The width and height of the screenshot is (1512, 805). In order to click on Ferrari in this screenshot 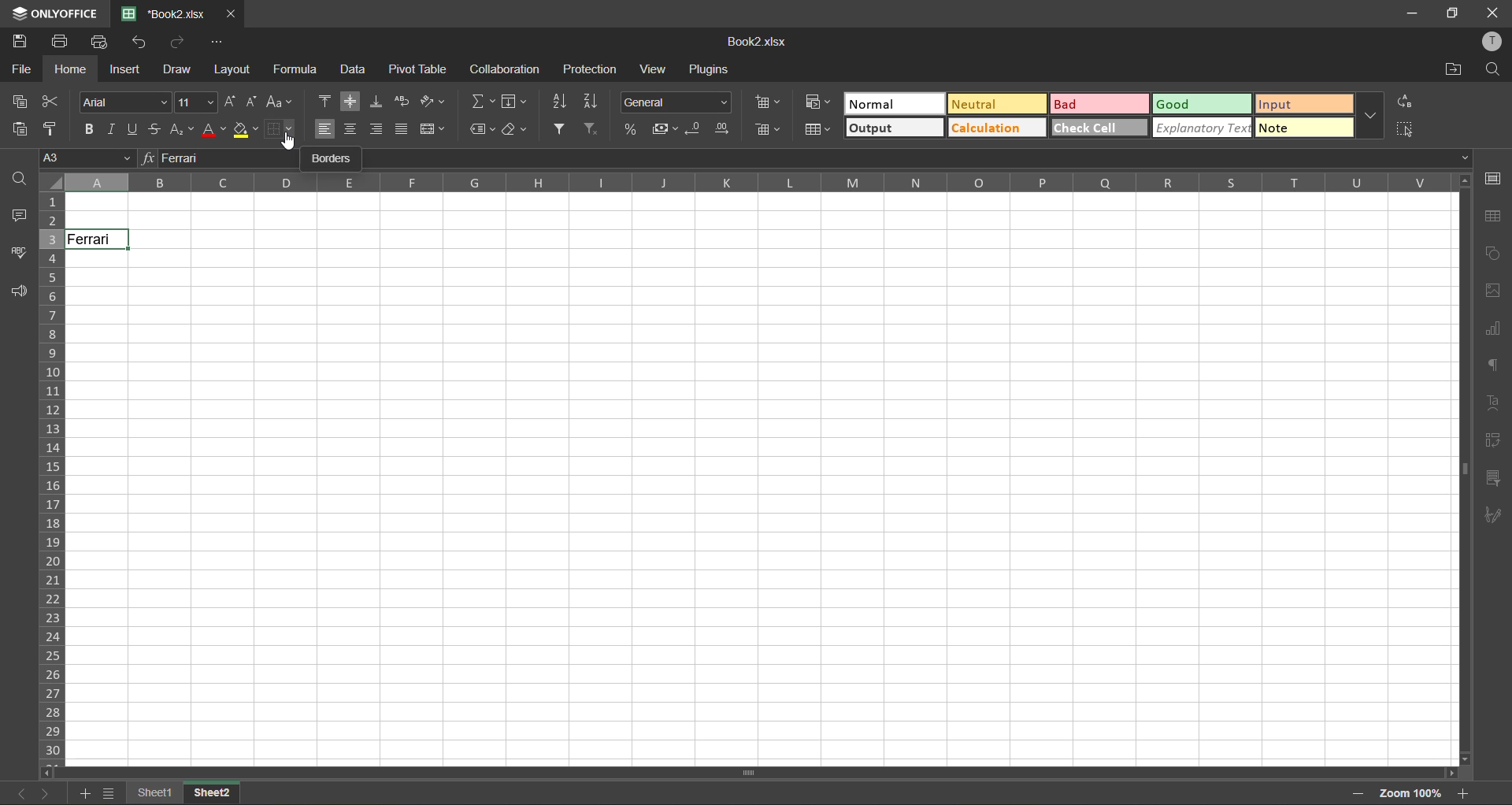, I will do `click(103, 239)`.